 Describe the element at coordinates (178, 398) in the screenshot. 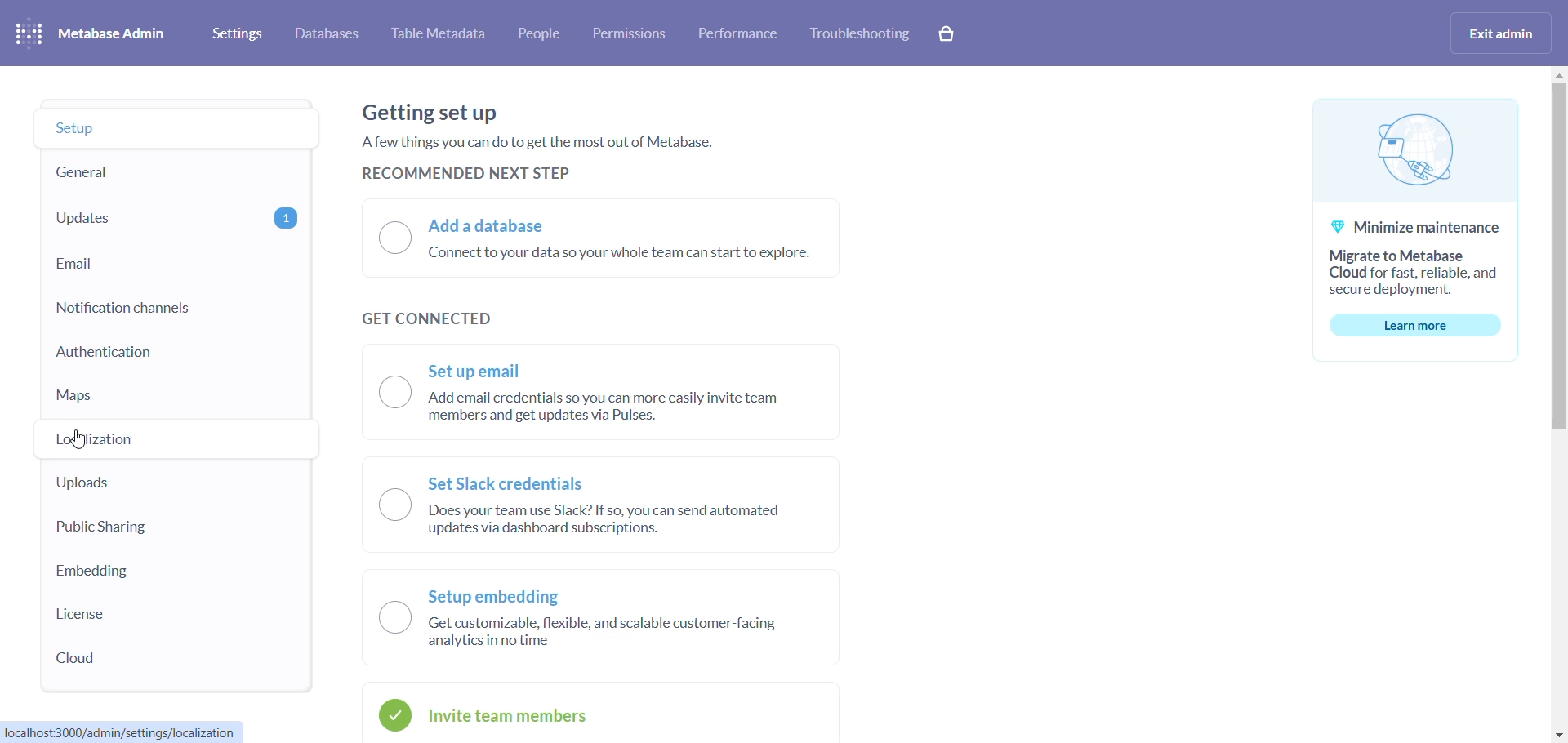

I see `maps` at that location.